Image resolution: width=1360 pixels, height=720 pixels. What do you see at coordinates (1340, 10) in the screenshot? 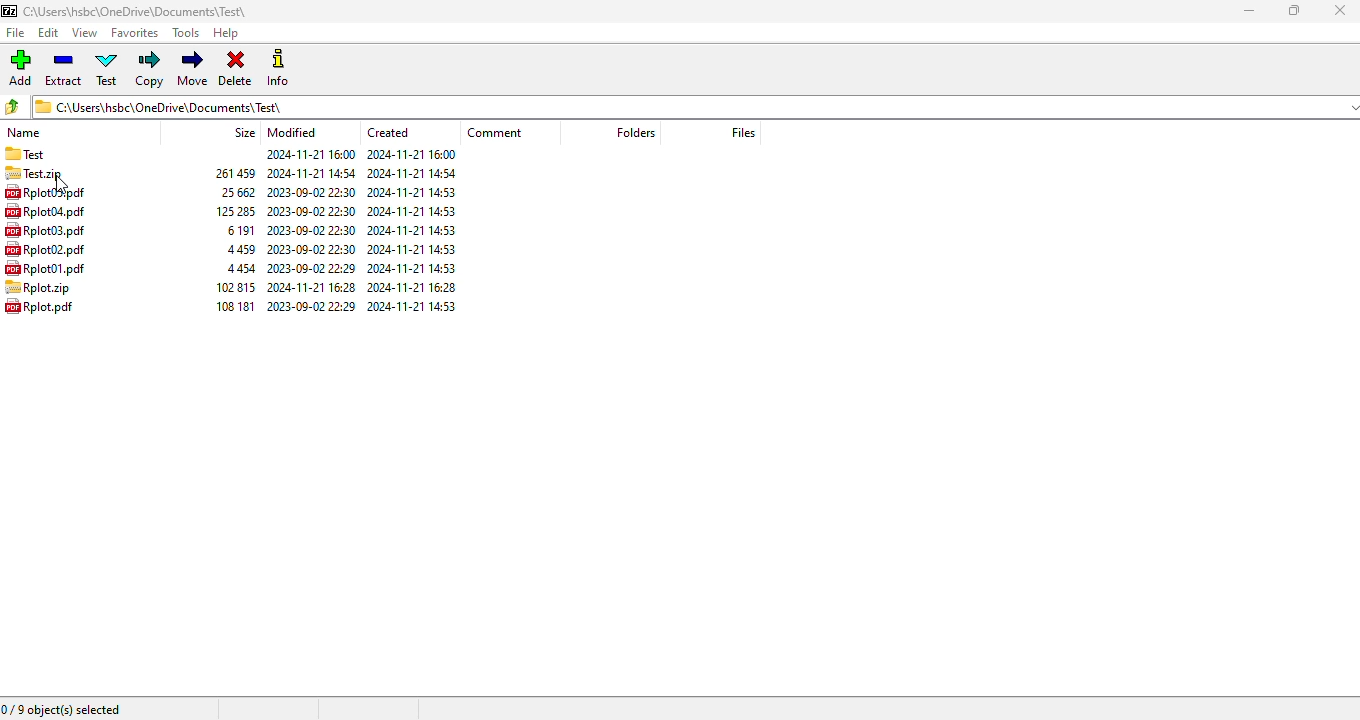
I see `close` at bounding box center [1340, 10].